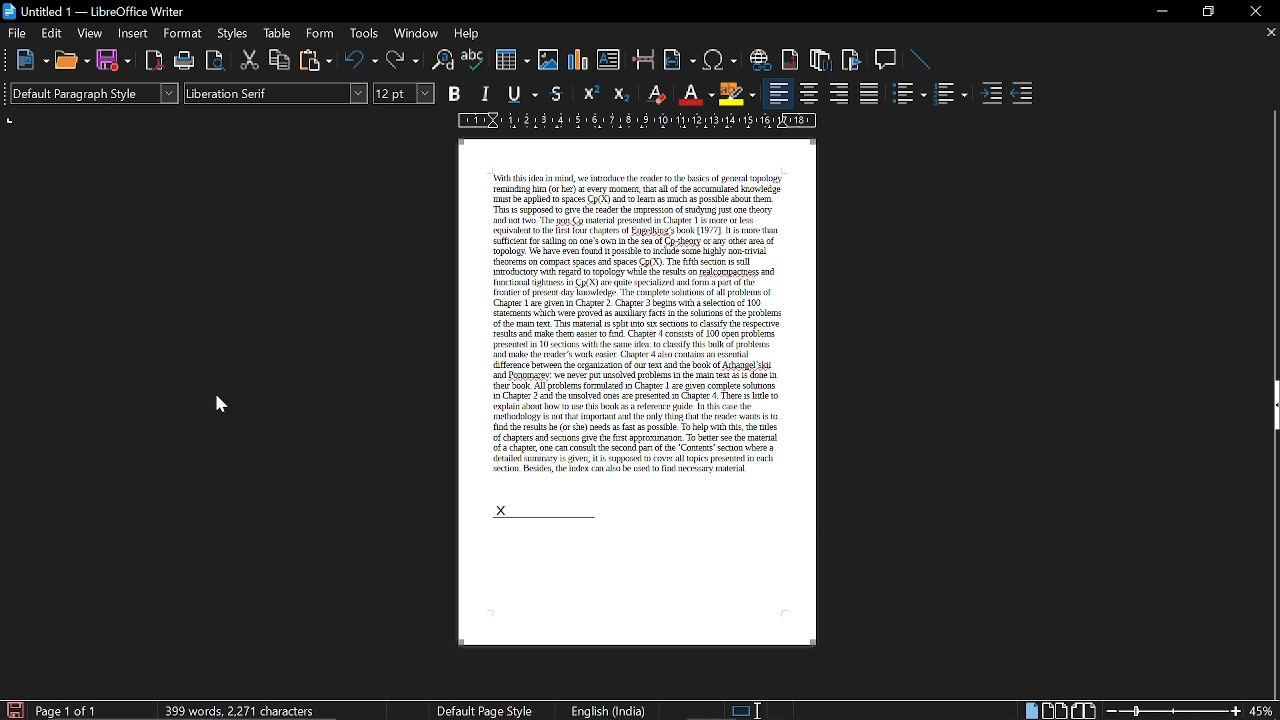 Image resolution: width=1280 pixels, height=720 pixels. I want to click on redo, so click(402, 60).